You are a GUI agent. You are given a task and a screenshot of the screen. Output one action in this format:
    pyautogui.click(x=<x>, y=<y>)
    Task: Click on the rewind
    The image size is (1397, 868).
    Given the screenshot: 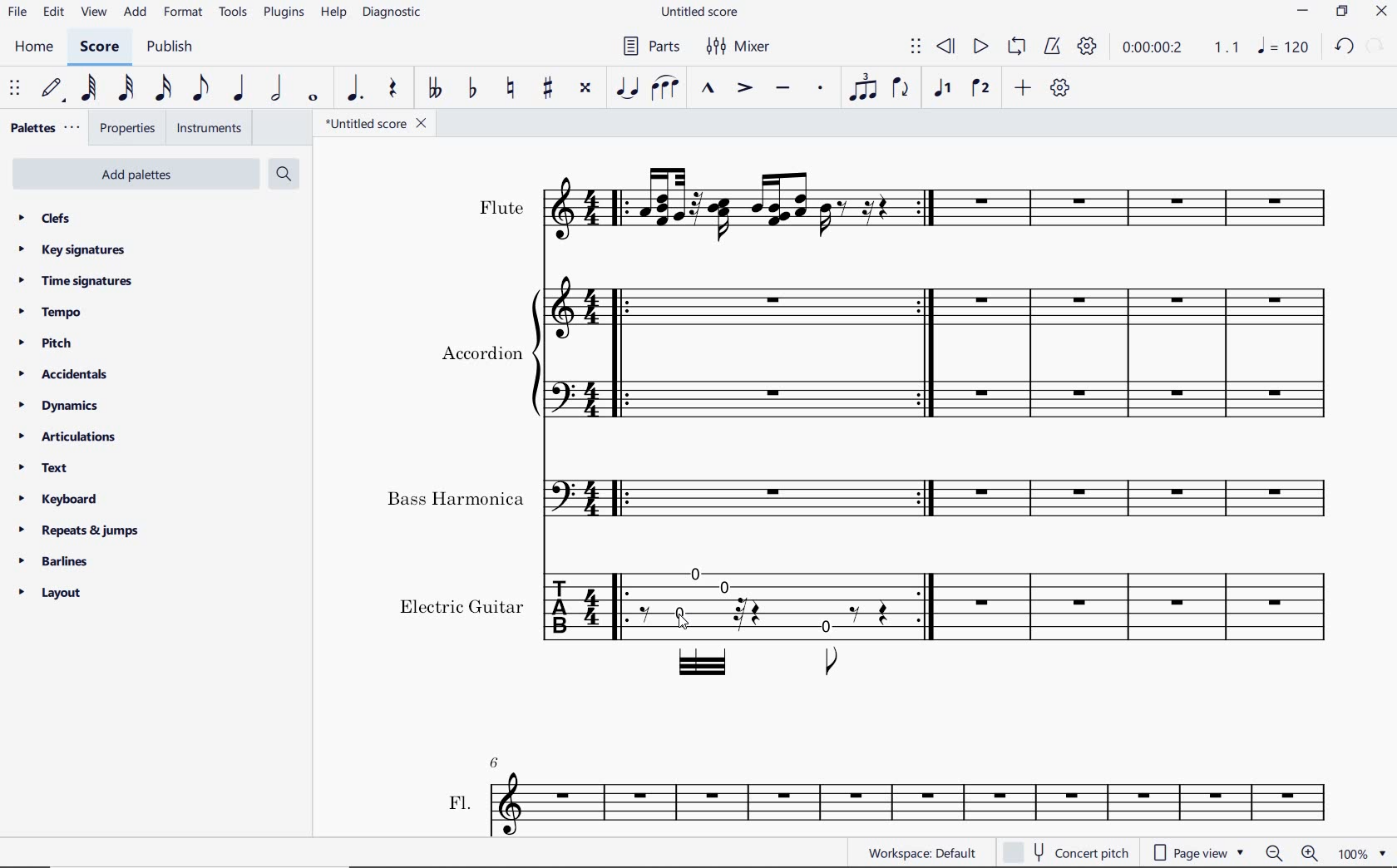 What is the action you would take?
    pyautogui.click(x=947, y=47)
    